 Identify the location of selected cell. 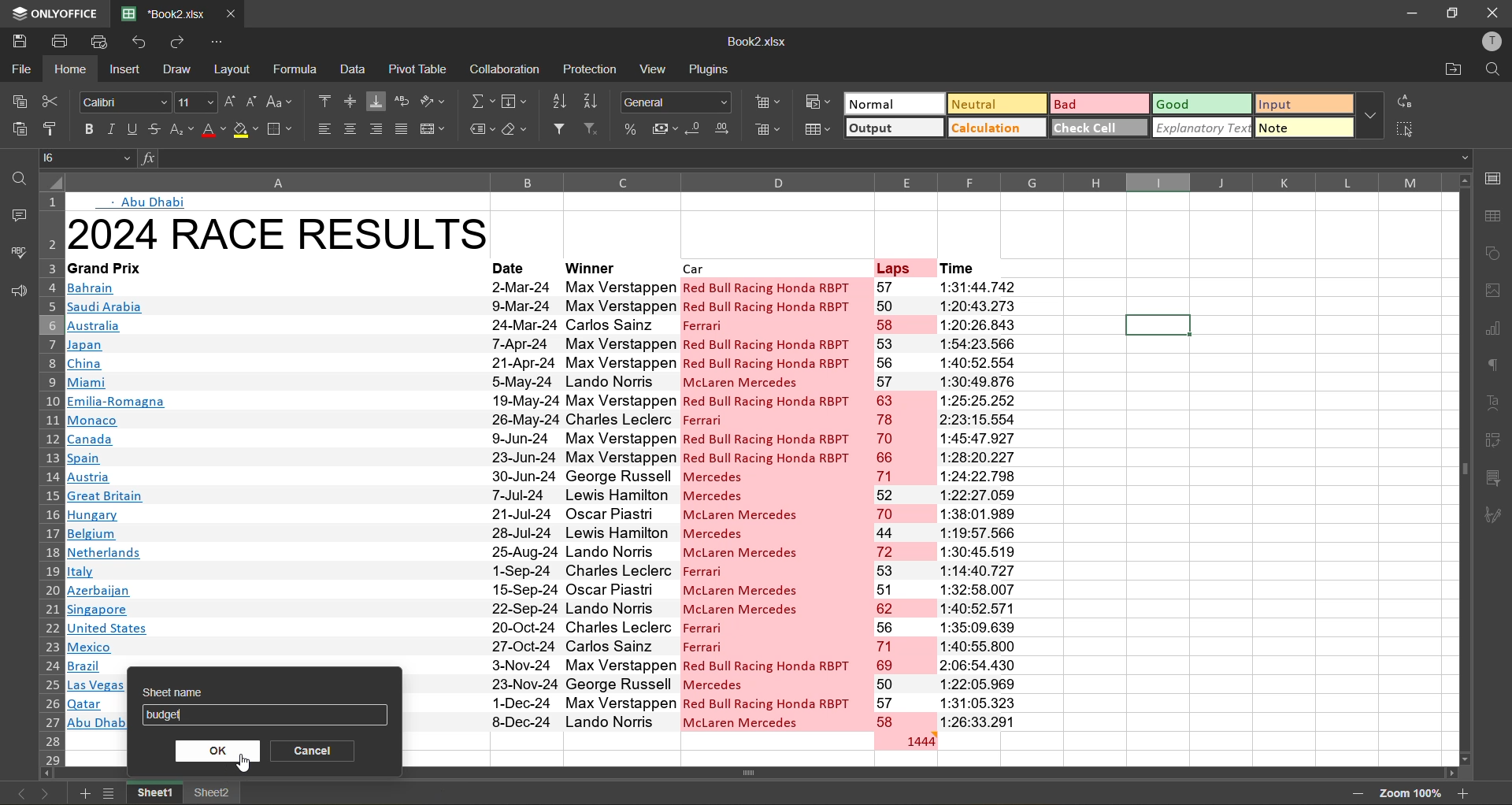
(1158, 326).